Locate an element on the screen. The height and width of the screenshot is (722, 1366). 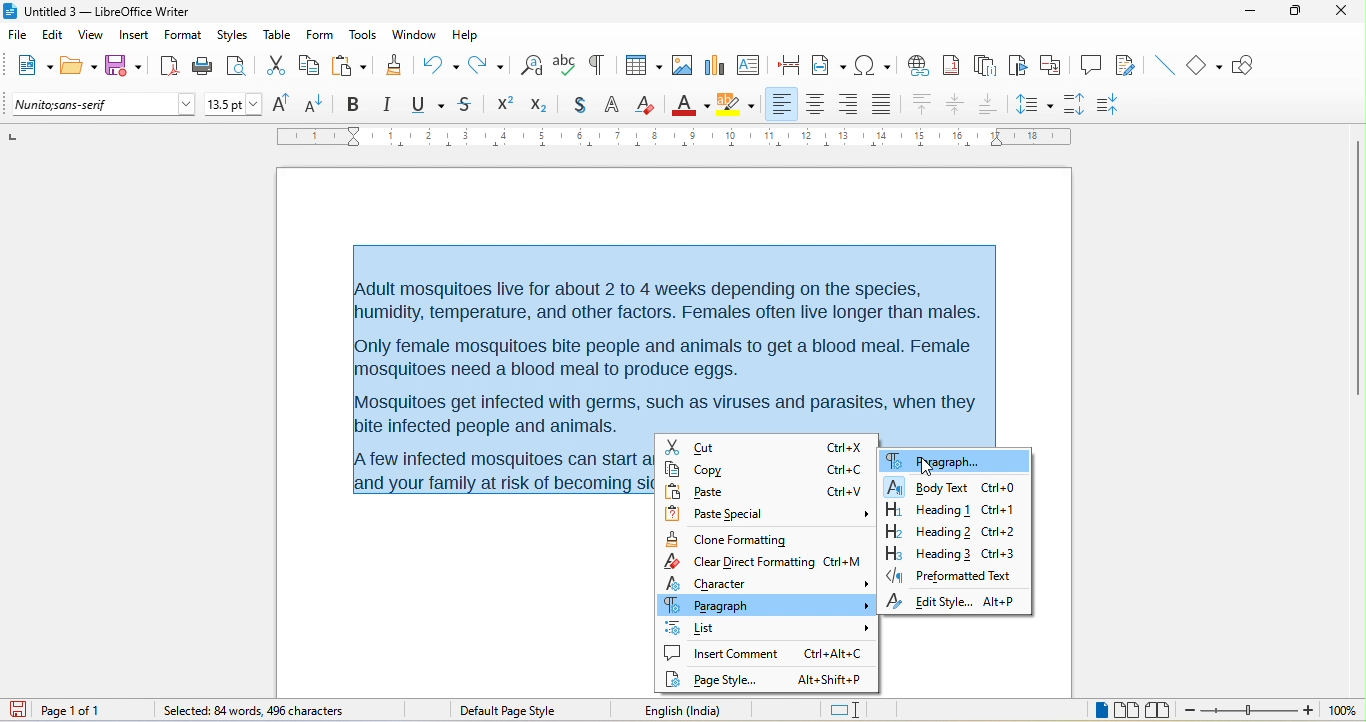
field is located at coordinates (829, 64).